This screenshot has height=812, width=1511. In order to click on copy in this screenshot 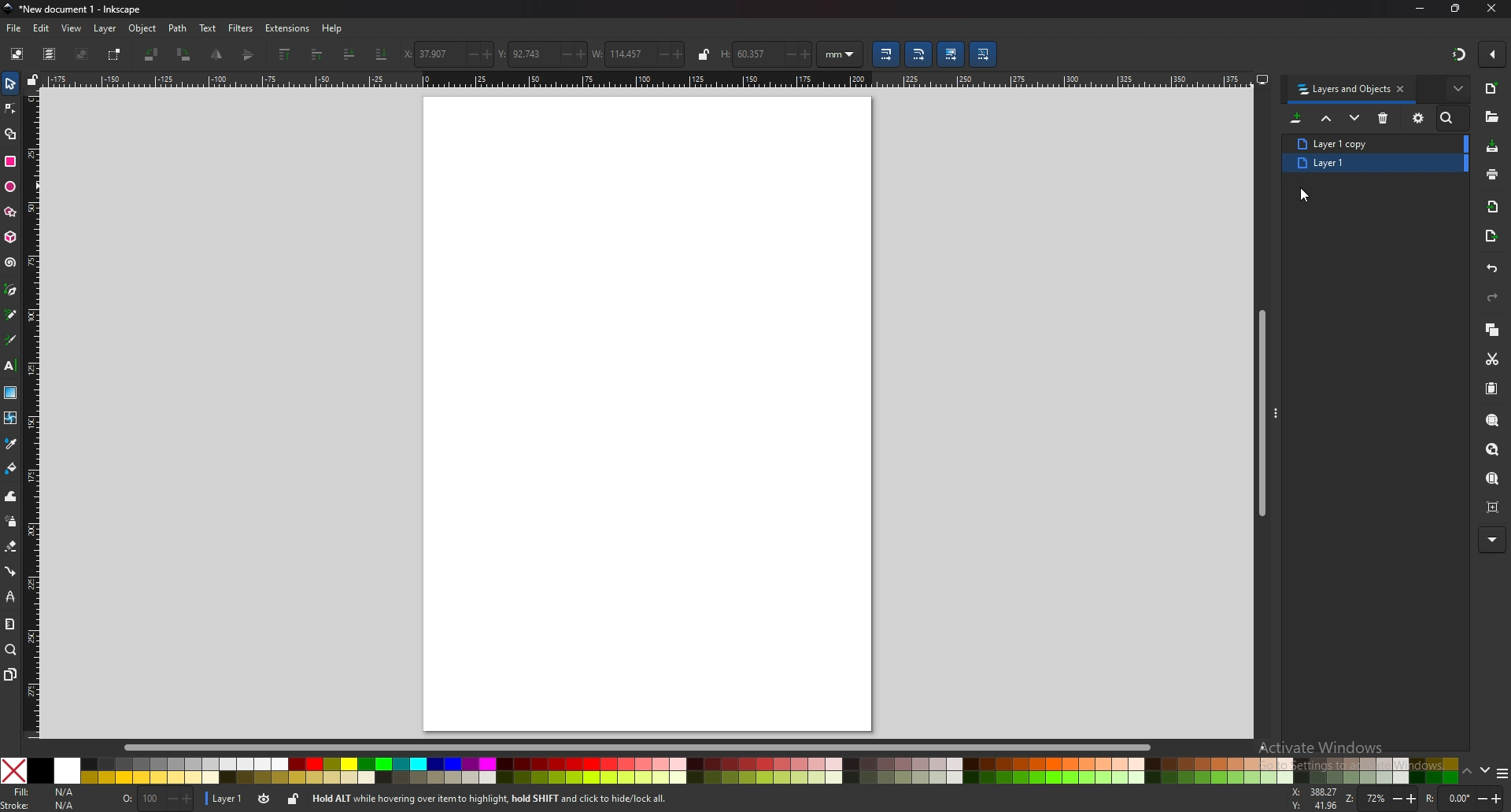, I will do `click(1492, 328)`.